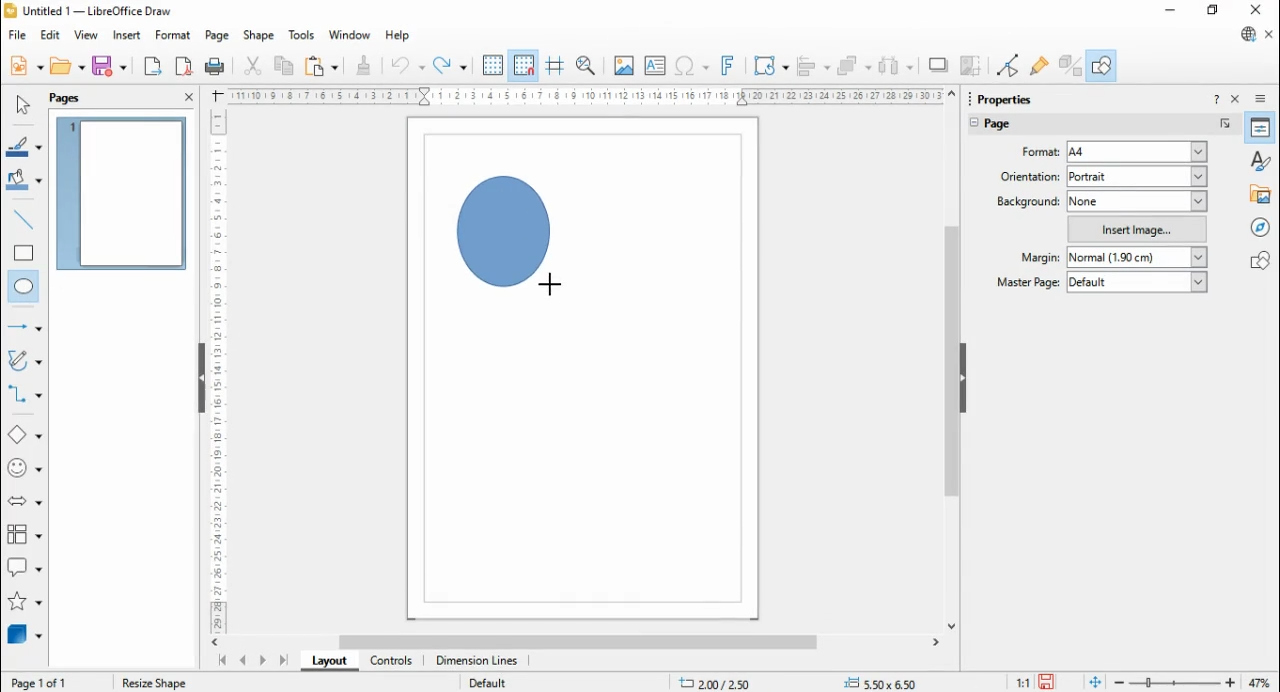  What do you see at coordinates (67, 66) in the screenshot?
I see `open` at bounding box center [67, 66].